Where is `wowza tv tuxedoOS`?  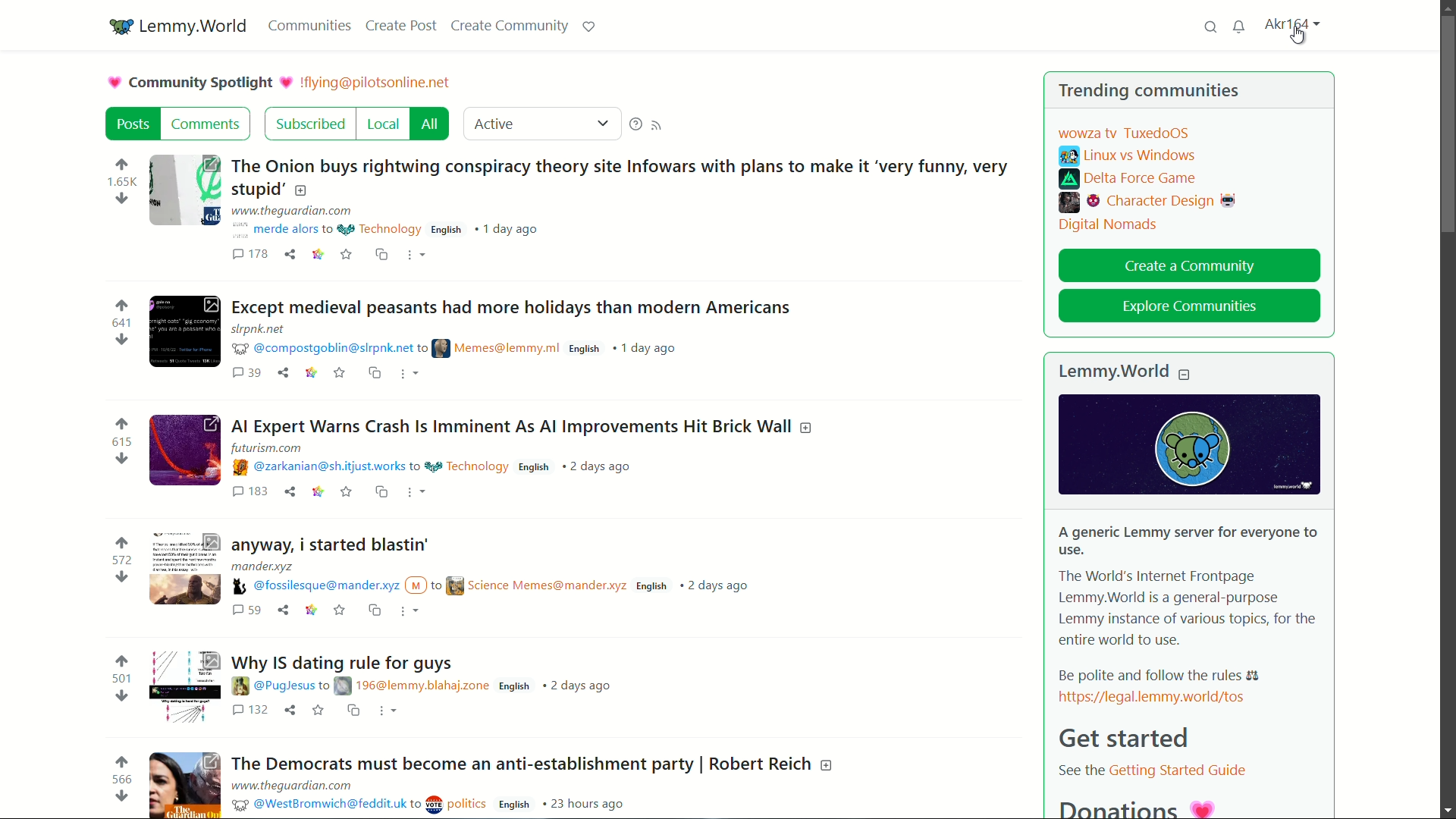
wowza tv tuxedoOS is located at coordinates (1126, 133).